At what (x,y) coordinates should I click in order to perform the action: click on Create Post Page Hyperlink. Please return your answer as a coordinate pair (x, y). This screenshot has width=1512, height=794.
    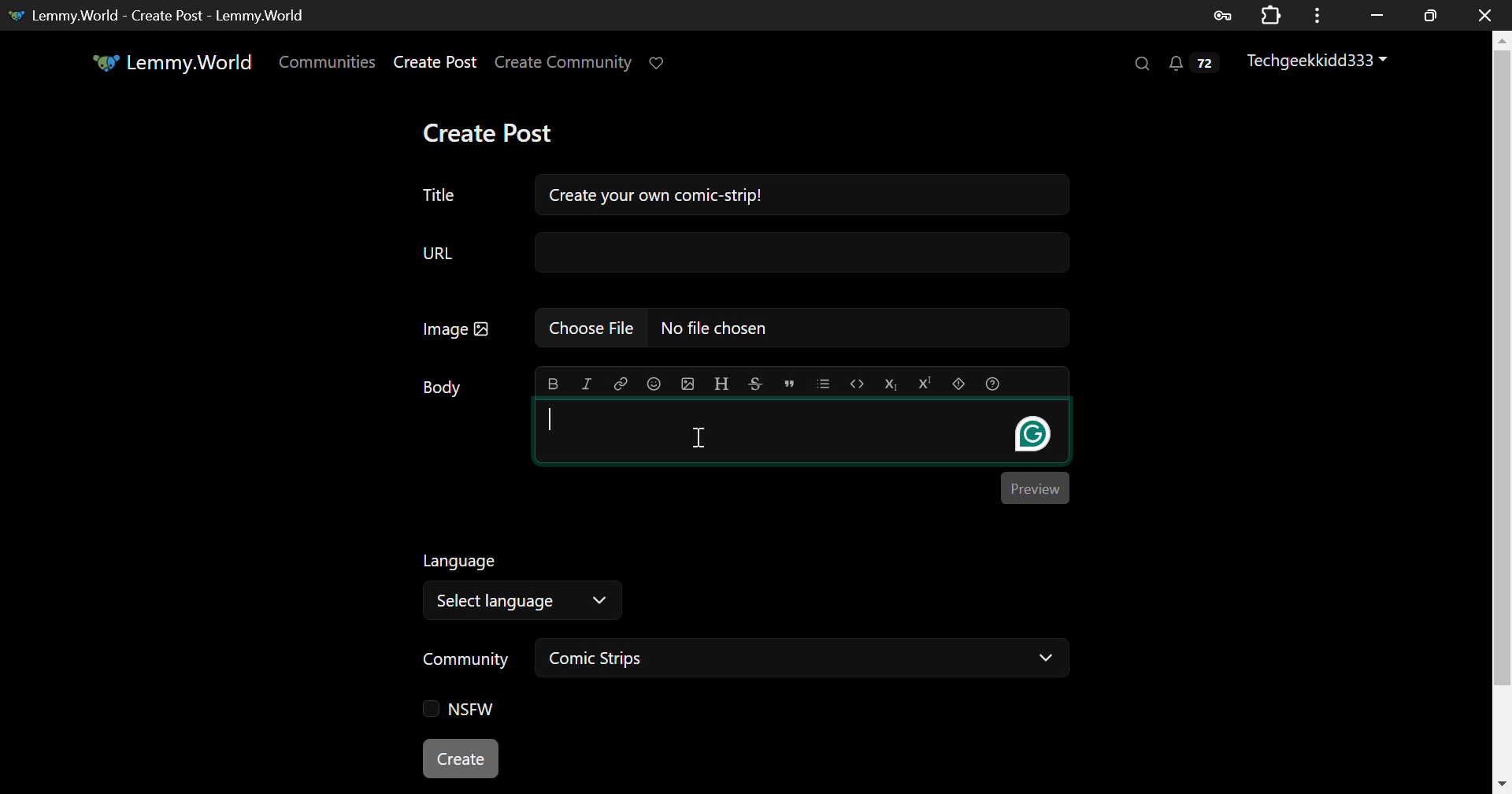
    Looking at the image, I should click on (439, 61).